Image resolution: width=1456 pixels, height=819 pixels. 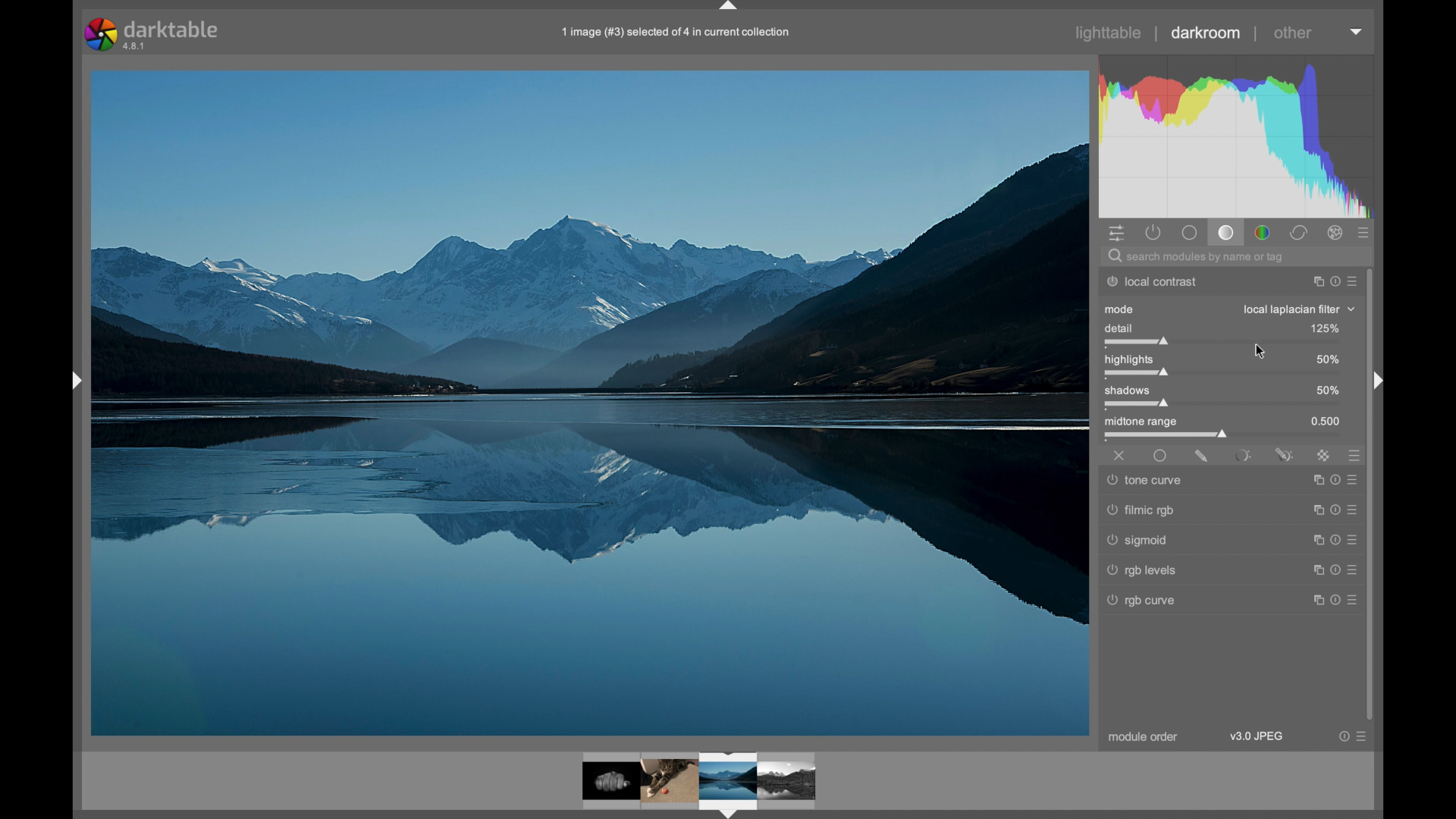 I want to click on more options, so click(x=1335, y=570).